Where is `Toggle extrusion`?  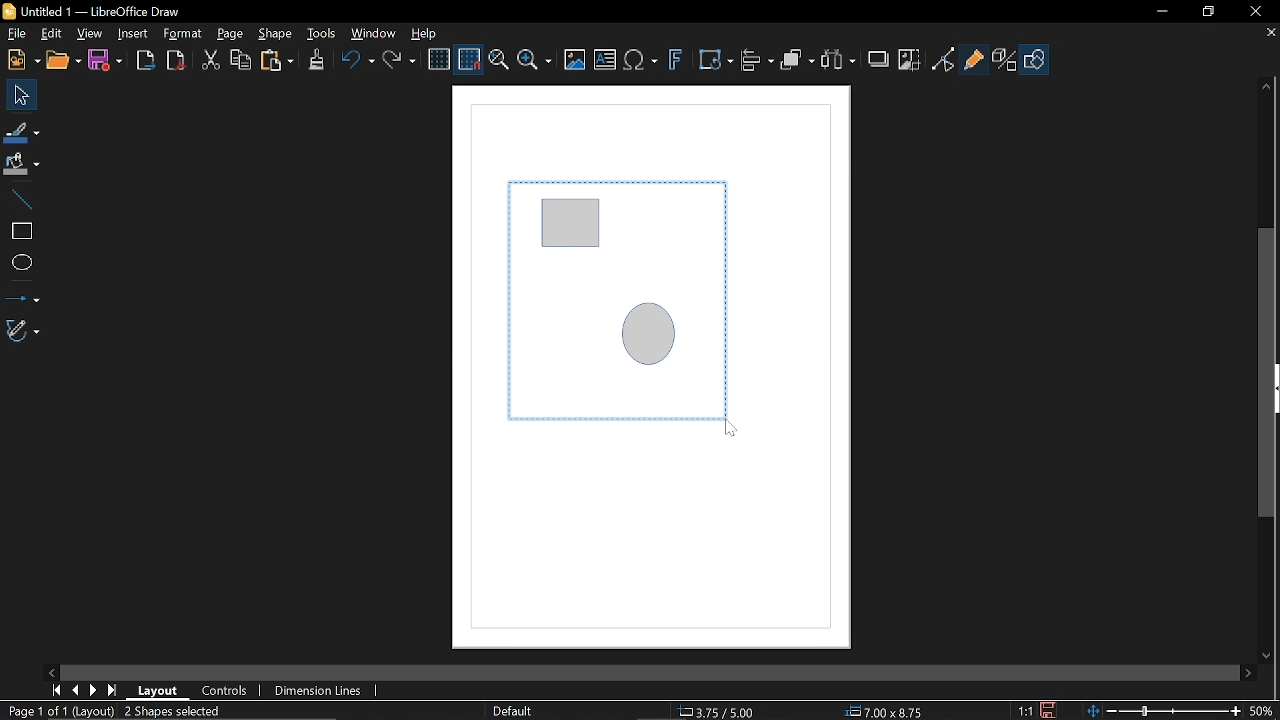
Toggle extrusion is located at coordinates (1003, 59).